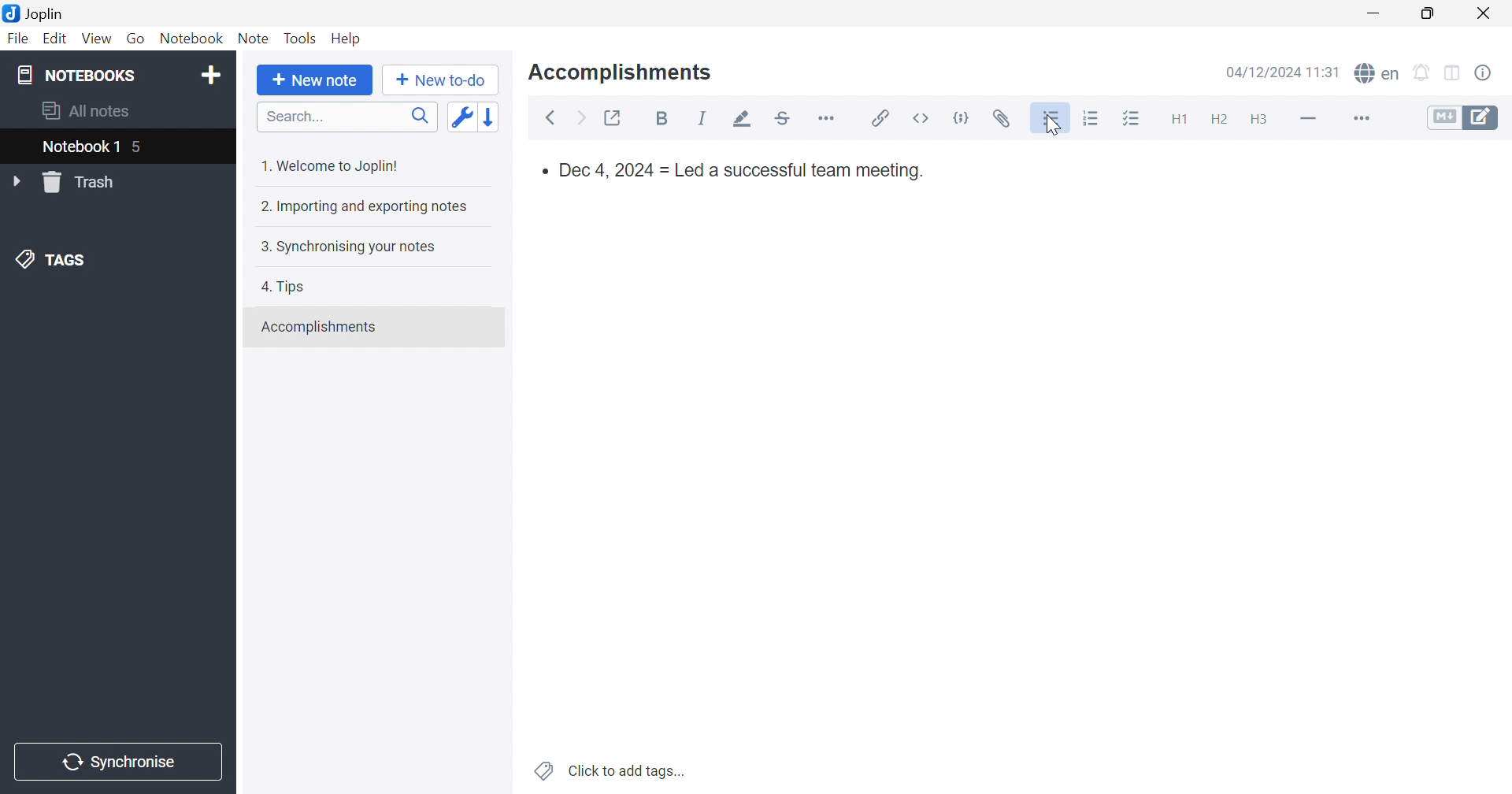  I want to click on Strikethrough, so click(782, 121).